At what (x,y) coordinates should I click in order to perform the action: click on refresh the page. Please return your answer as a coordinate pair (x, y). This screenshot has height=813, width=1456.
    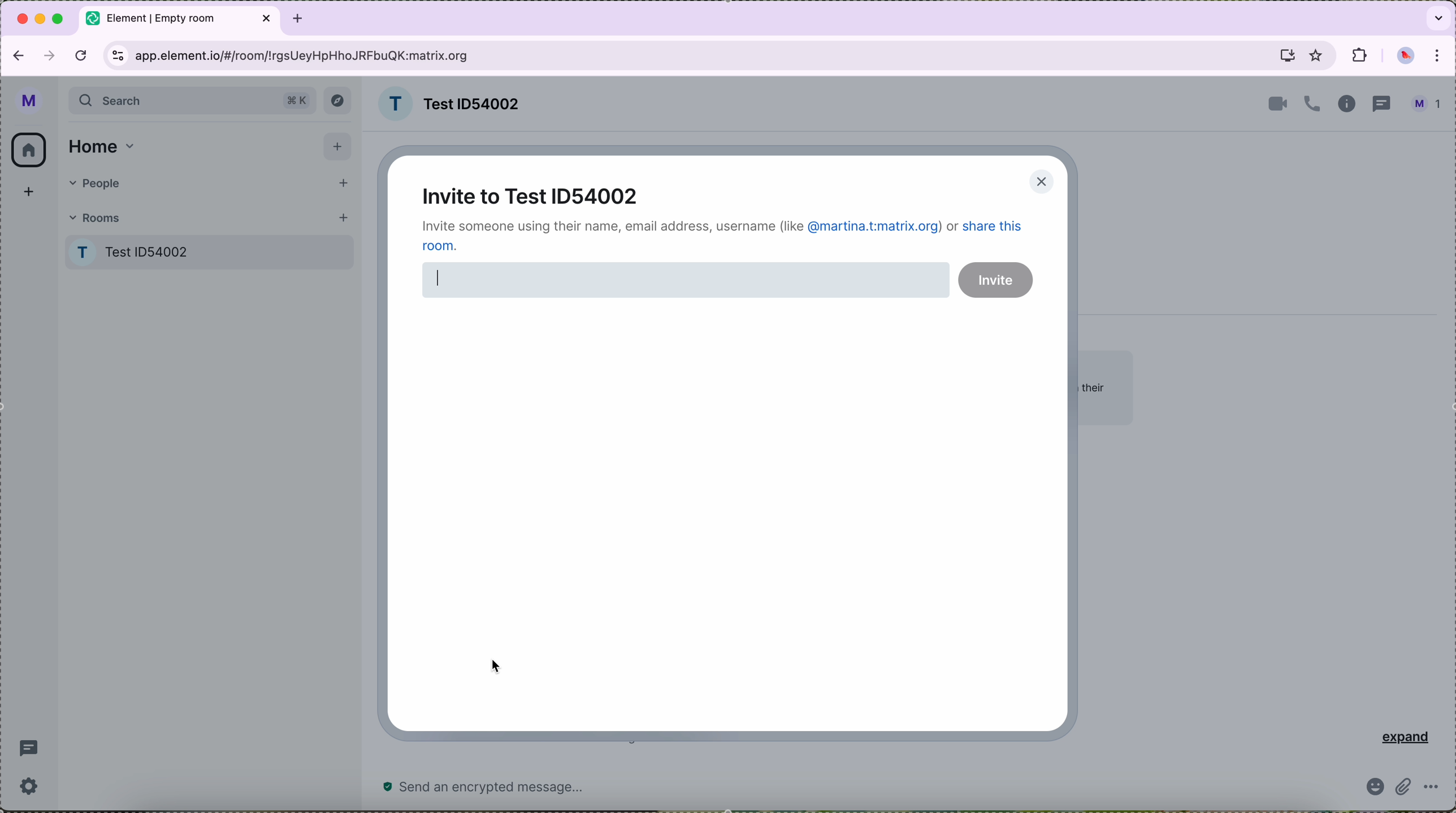
    Looking at the image, I should click on (81, 55).